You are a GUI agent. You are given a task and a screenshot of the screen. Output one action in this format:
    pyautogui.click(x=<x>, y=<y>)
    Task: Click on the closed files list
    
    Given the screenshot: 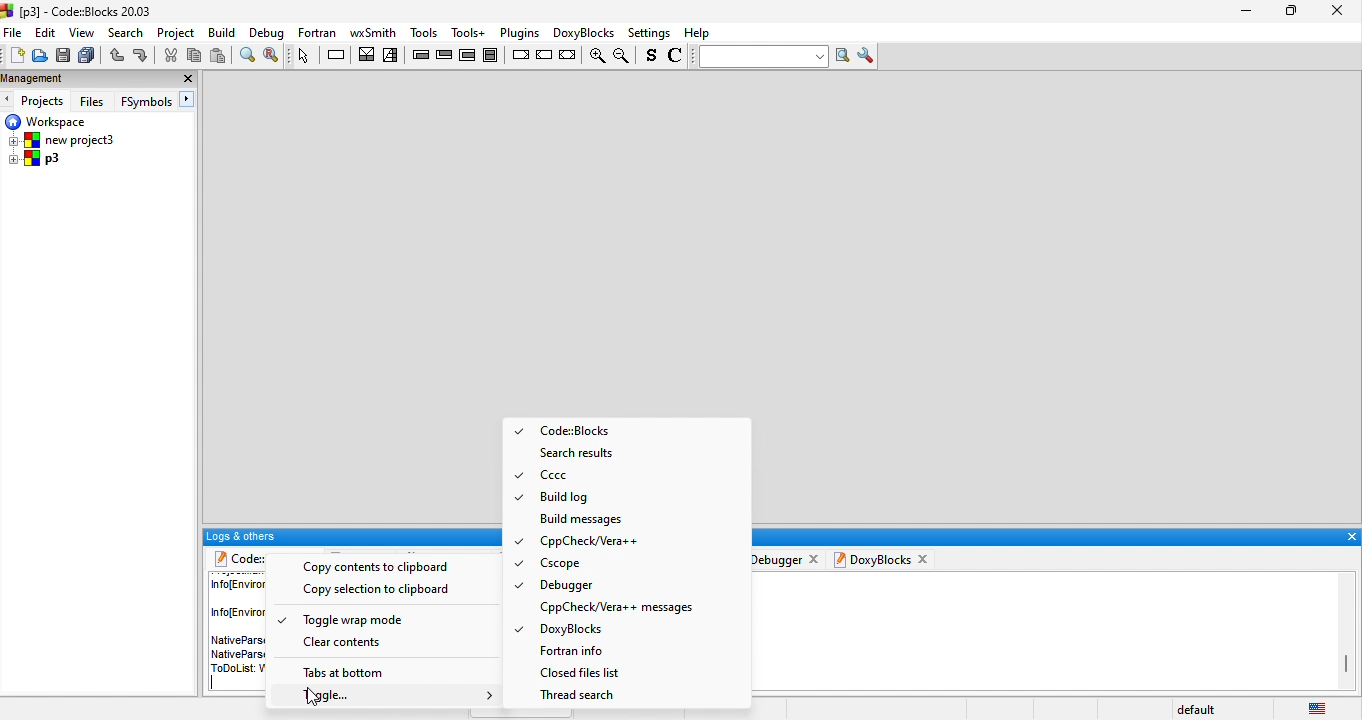 What is the action you would take?
    pyautogui.click(x=598, y=672)
    